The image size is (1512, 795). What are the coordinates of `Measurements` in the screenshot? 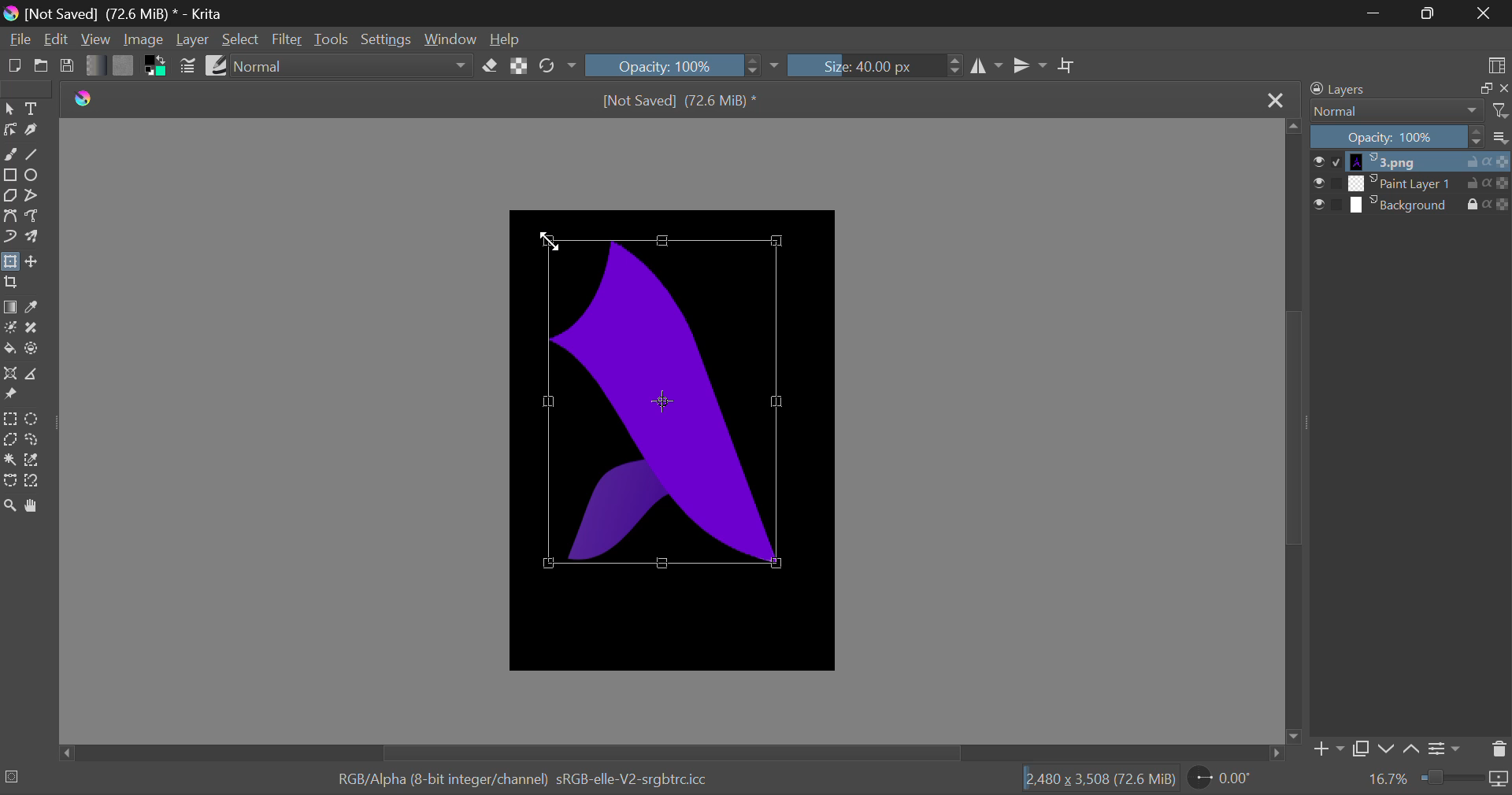 It's located at (37, 374).